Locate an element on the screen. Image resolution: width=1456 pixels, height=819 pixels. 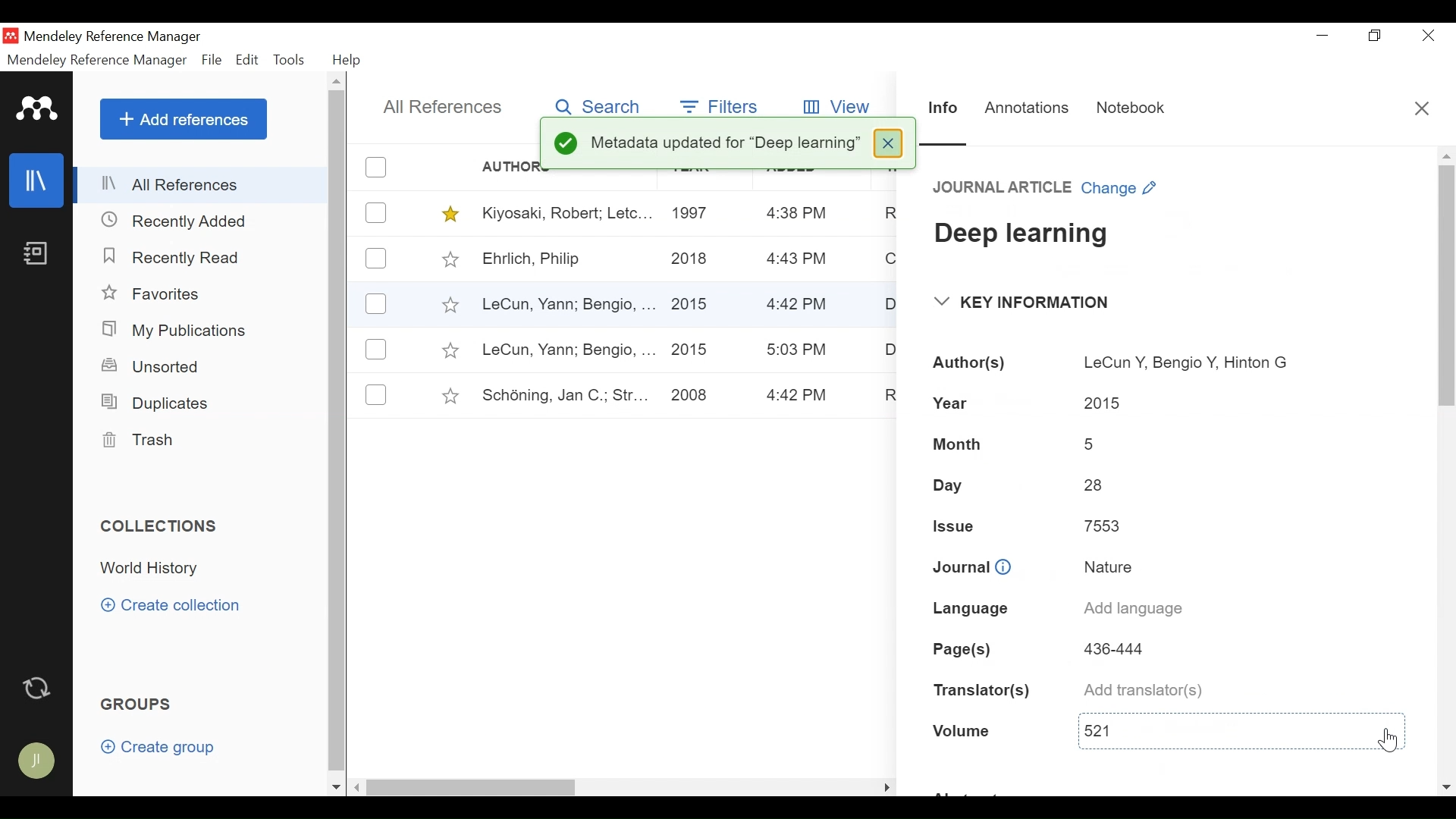
2015 is located at coordinates (695, 298).